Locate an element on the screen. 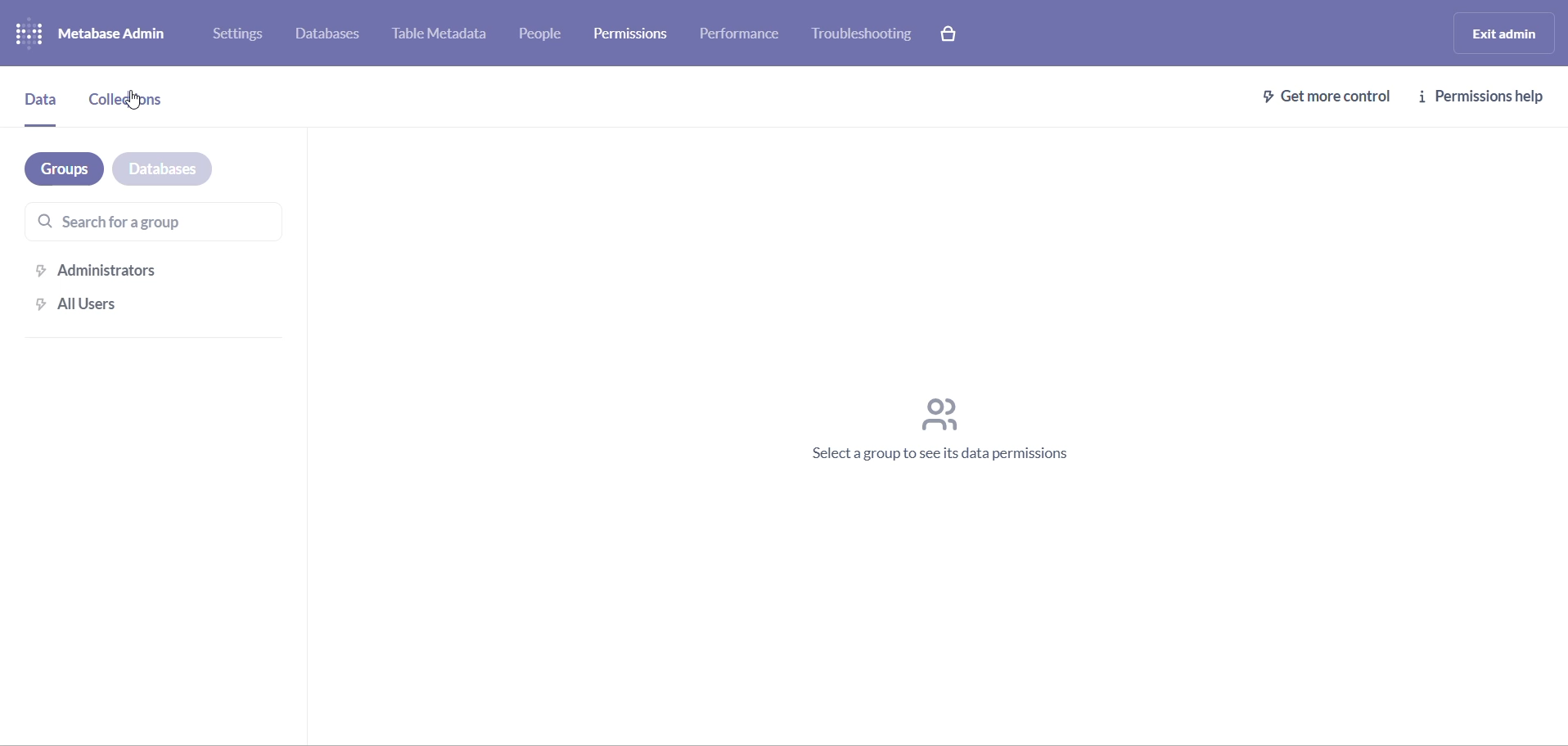  paid version is located at coordinates (956, 33).